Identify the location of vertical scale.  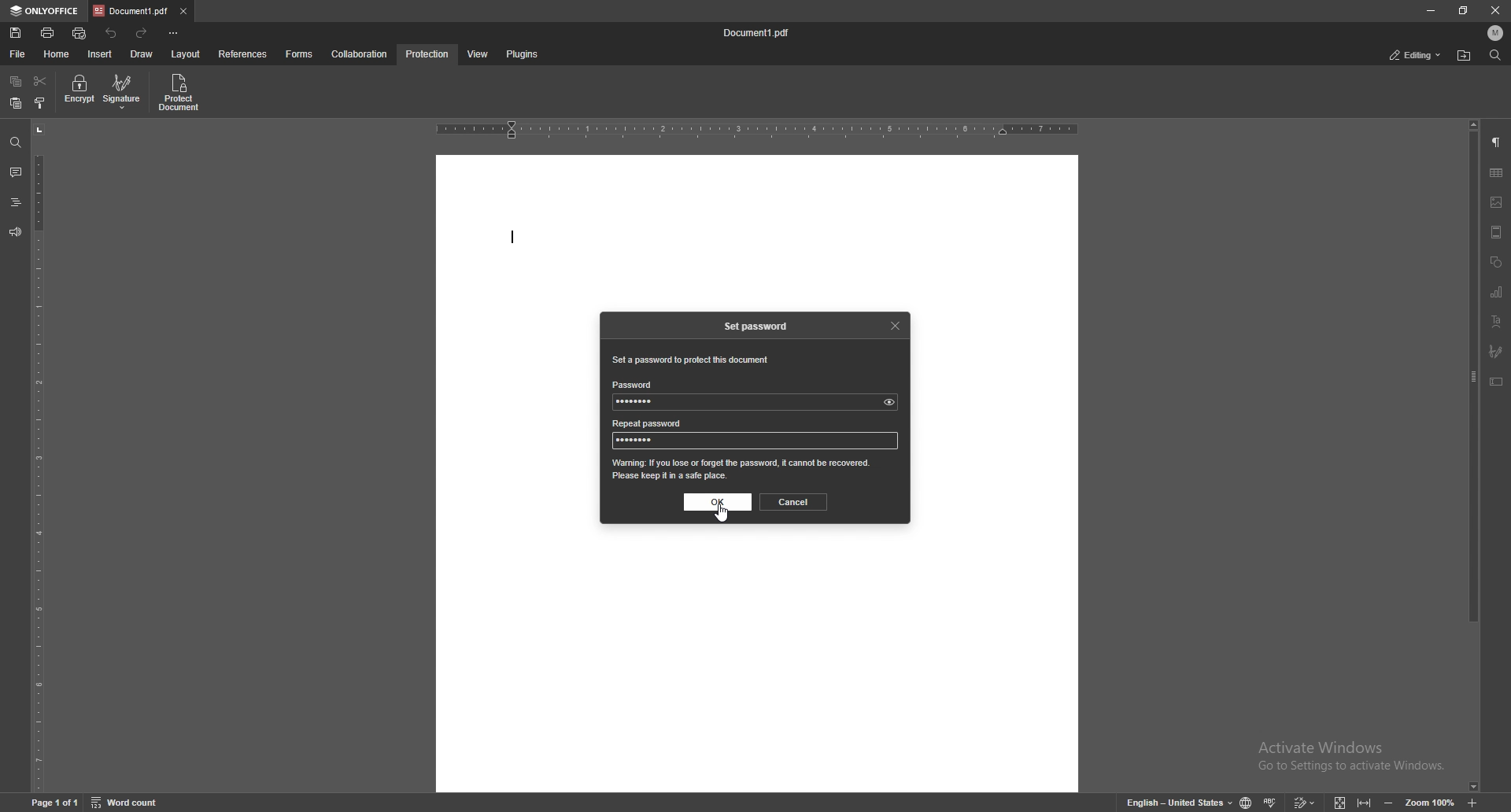
(38, 456).